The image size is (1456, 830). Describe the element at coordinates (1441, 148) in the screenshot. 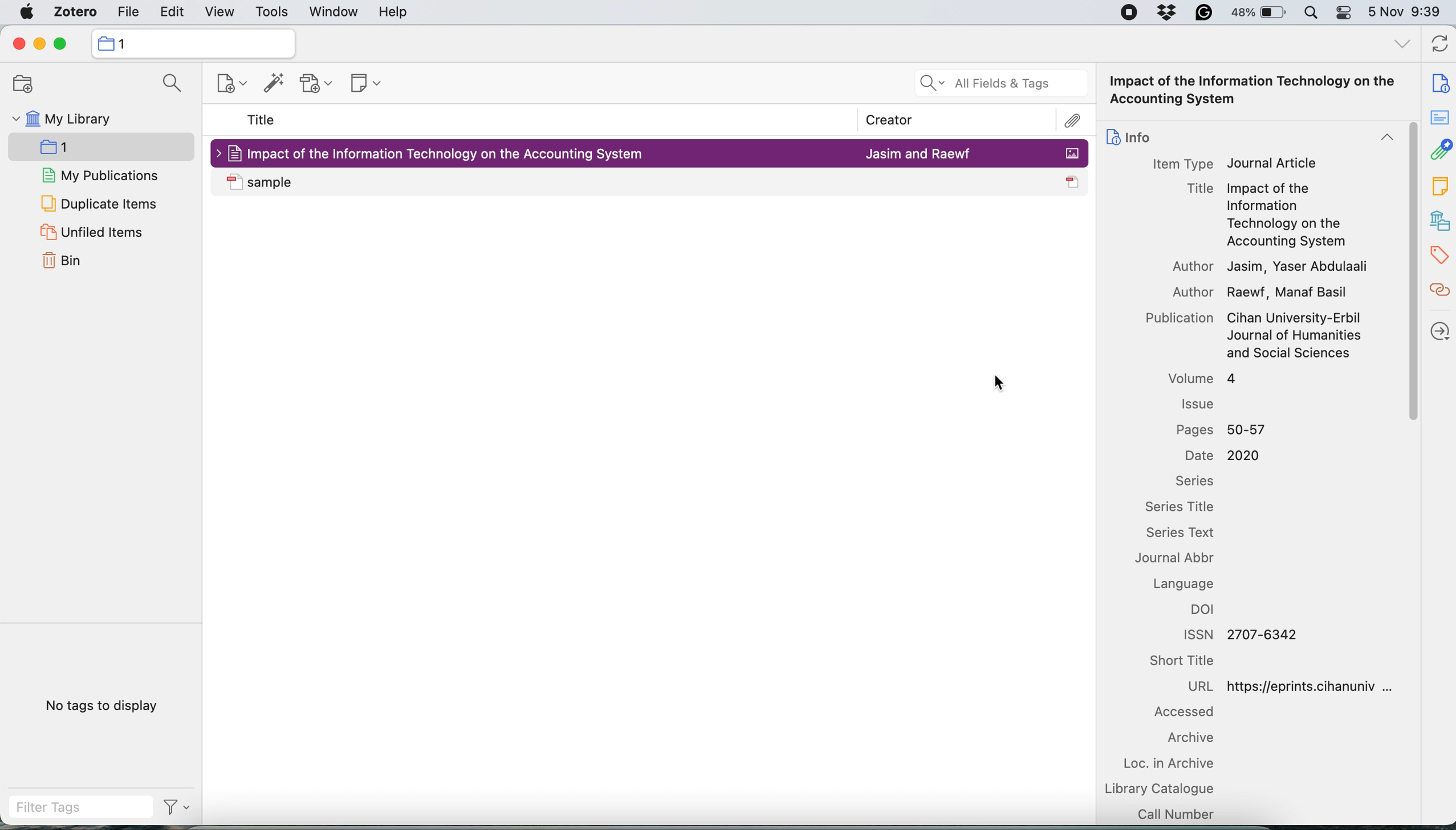

I see `attachment` at that location.